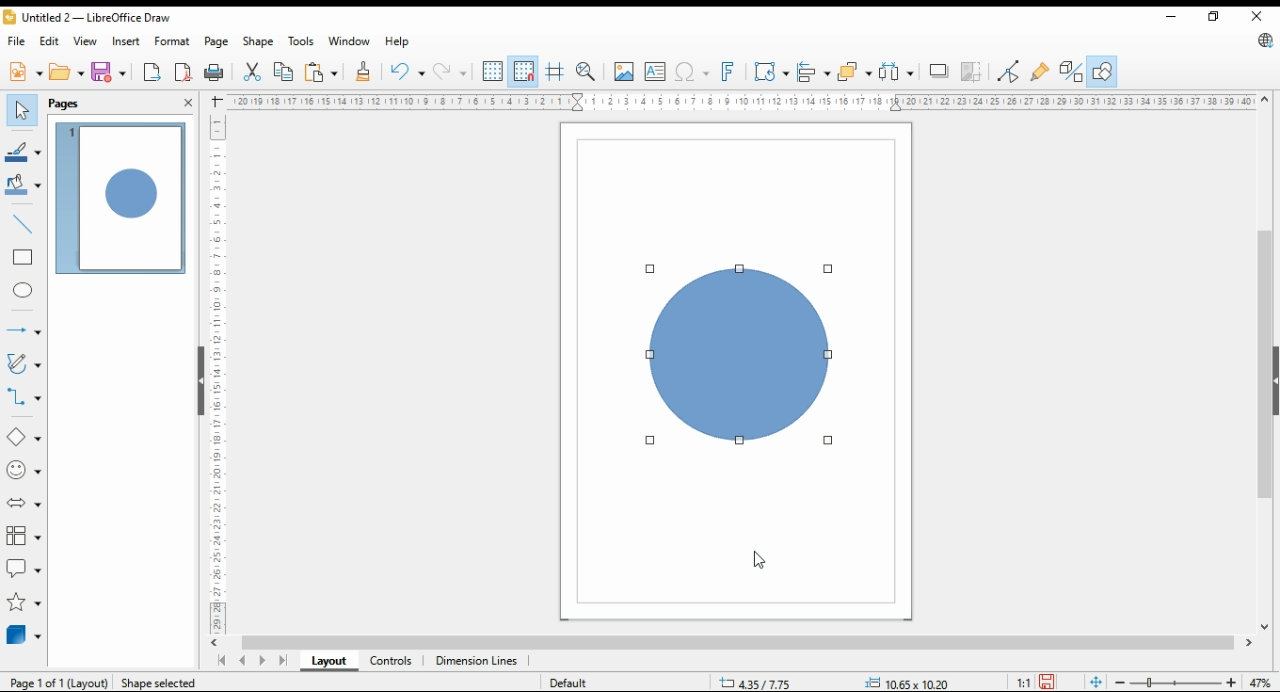 The height and width of the screenshot is (692, 1280). What do you see at coordinates (22, 290) in the screenshot?
I see `ellipse` at bounding box center [22, 290].